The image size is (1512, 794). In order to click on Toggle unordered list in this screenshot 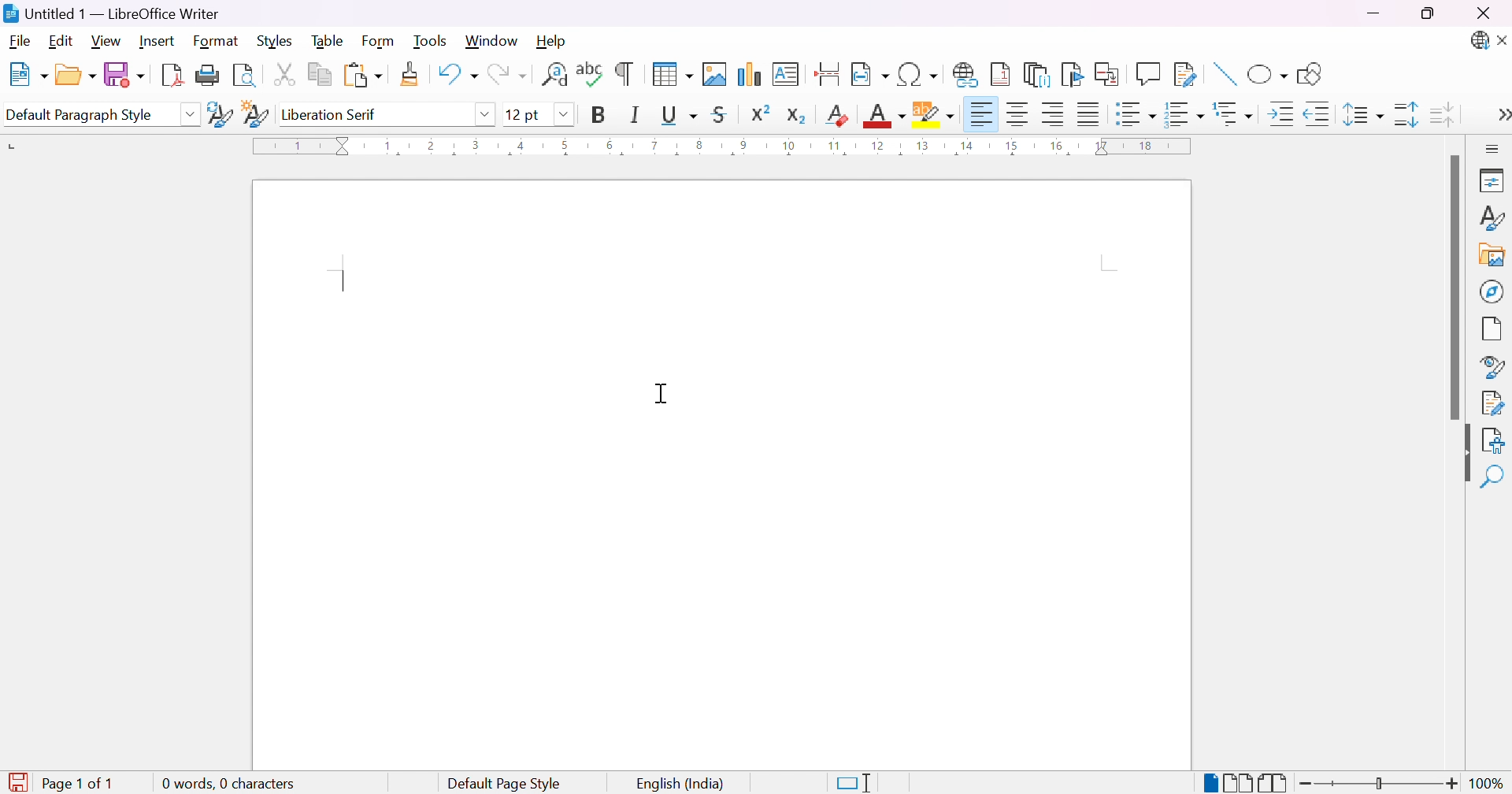, I will do `click(1137, 117)`.